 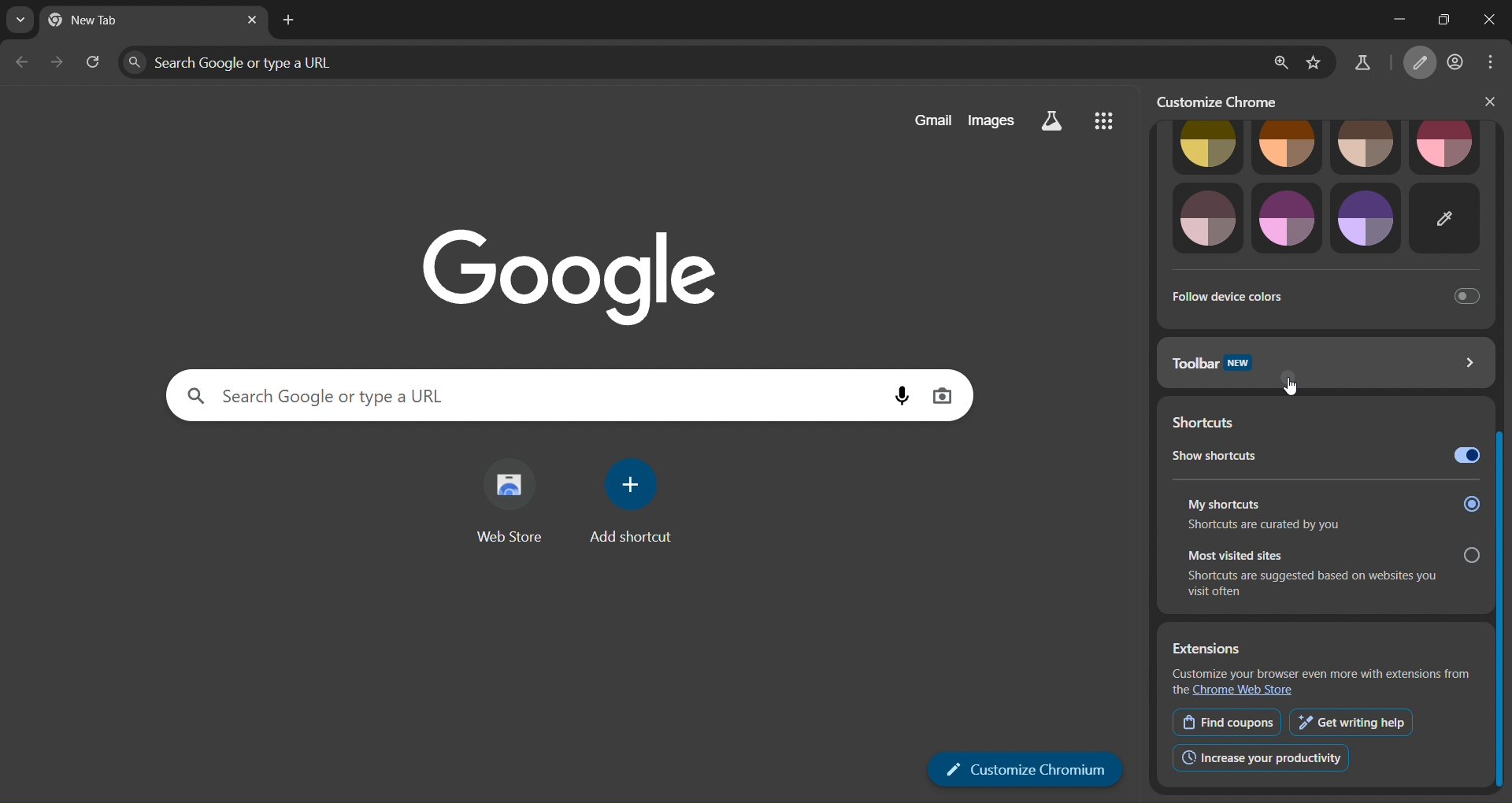 I want to click on google apps, so click(x=1102, y=119).